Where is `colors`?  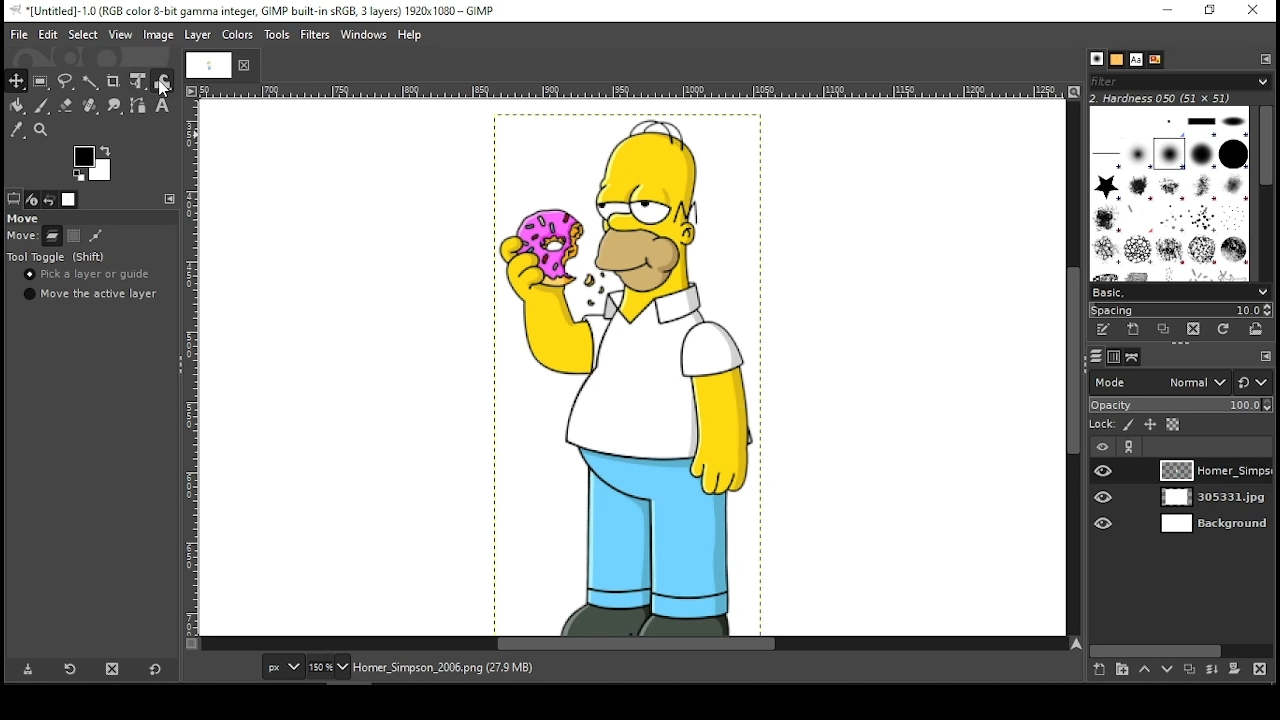 colors is located at coordinates (96, 163).